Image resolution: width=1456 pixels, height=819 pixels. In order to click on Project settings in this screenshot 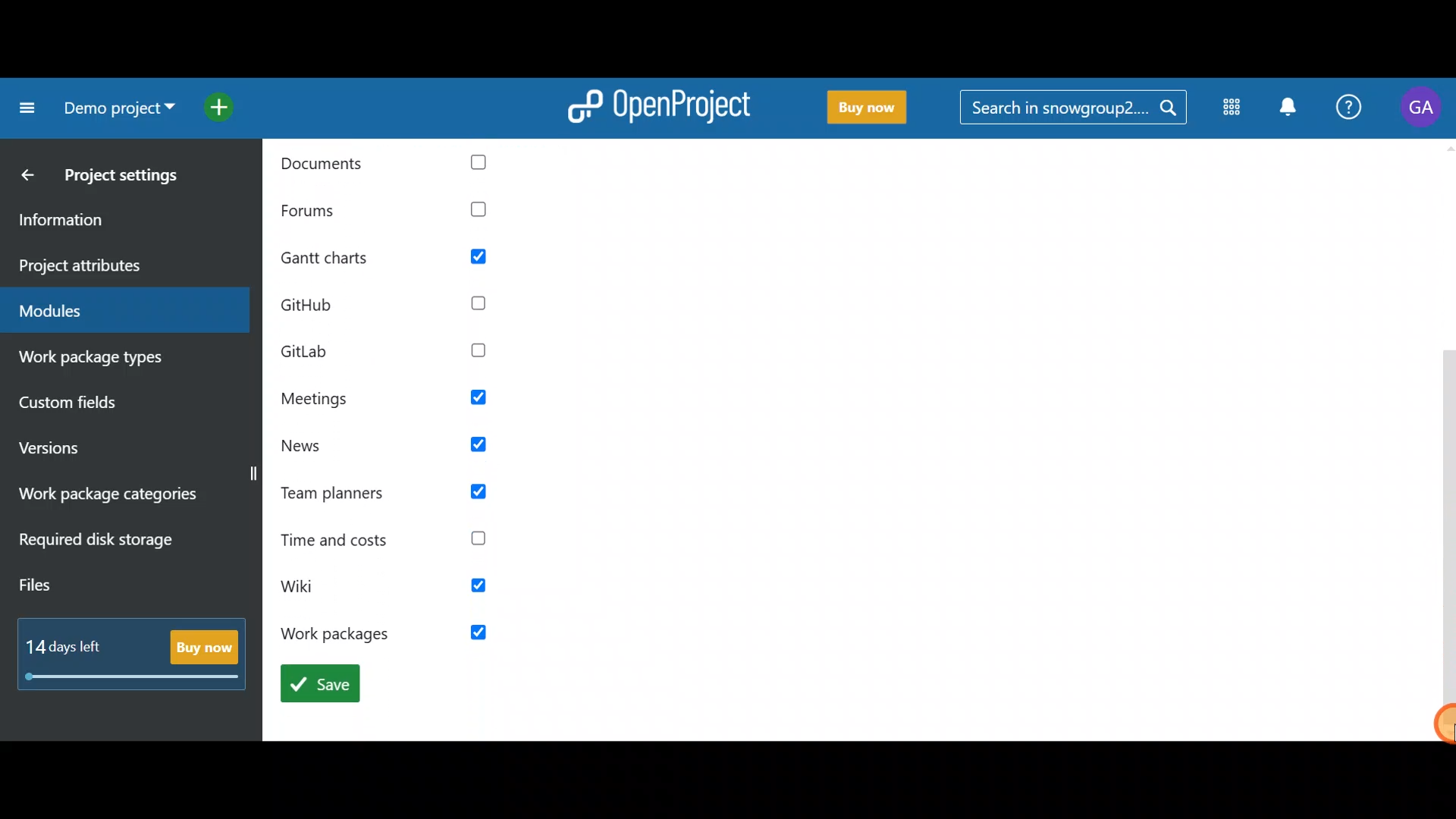, I will do `click(129, 179)`.